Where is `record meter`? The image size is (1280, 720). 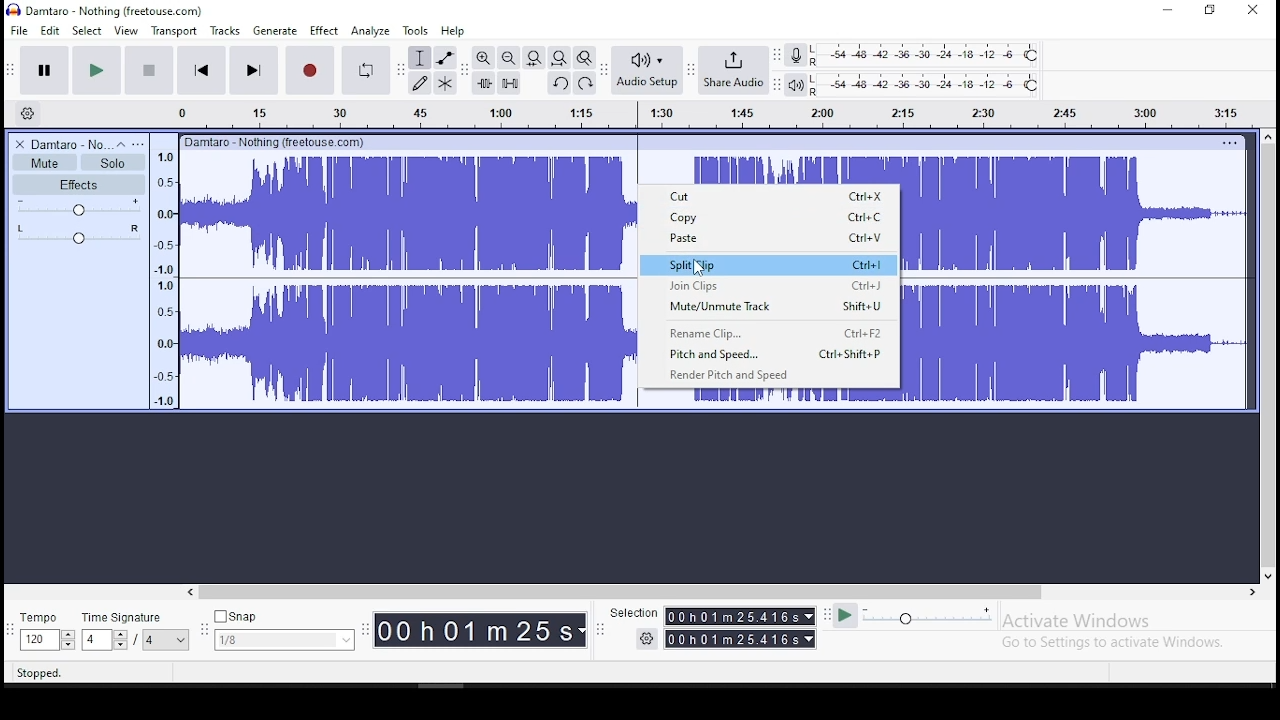
record meter is located at coordinates (796, 55).